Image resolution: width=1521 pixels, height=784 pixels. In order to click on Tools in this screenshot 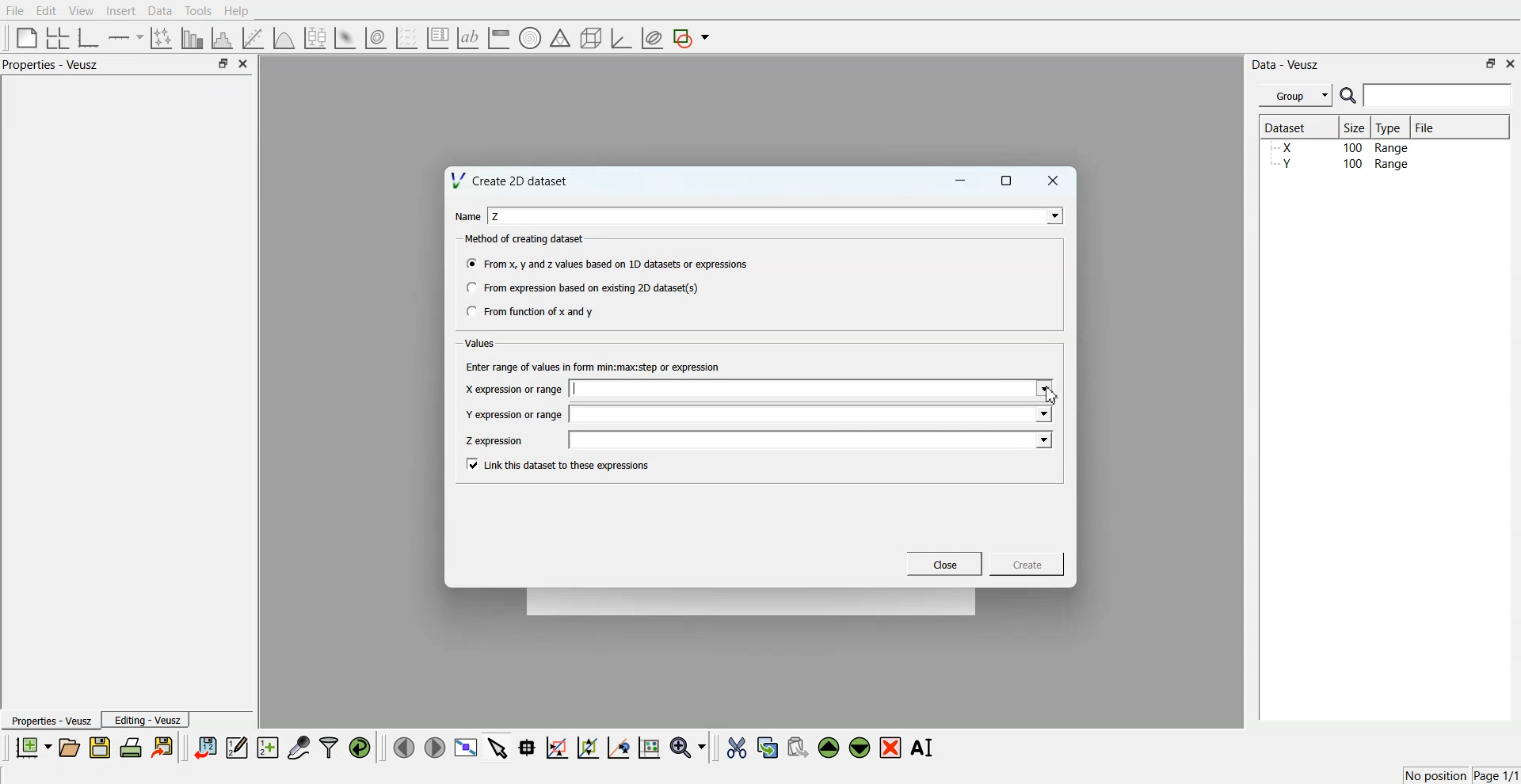, I will do `click(199, 11)`.